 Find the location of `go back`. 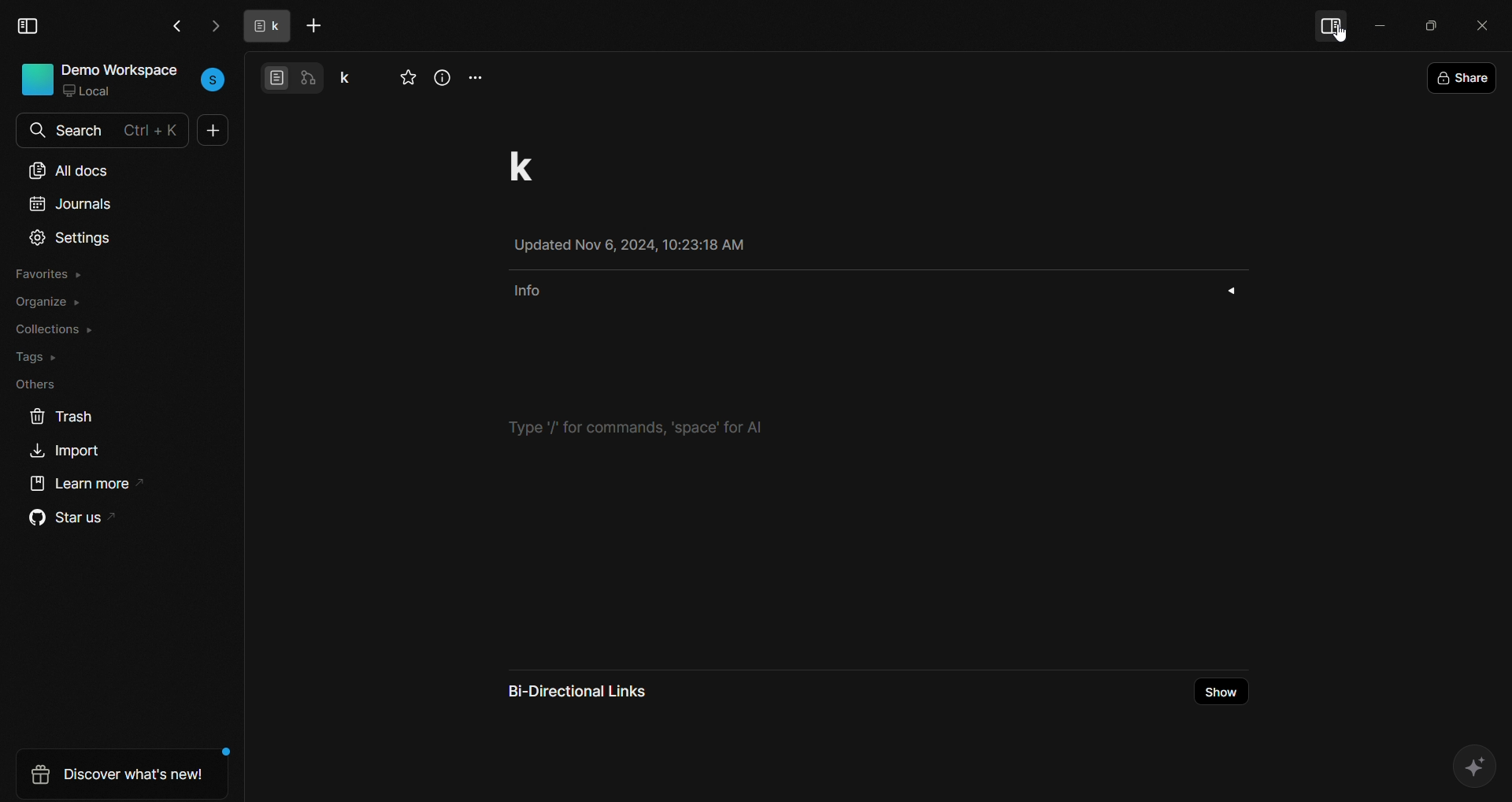

go back is located at coordinates (176, 25).